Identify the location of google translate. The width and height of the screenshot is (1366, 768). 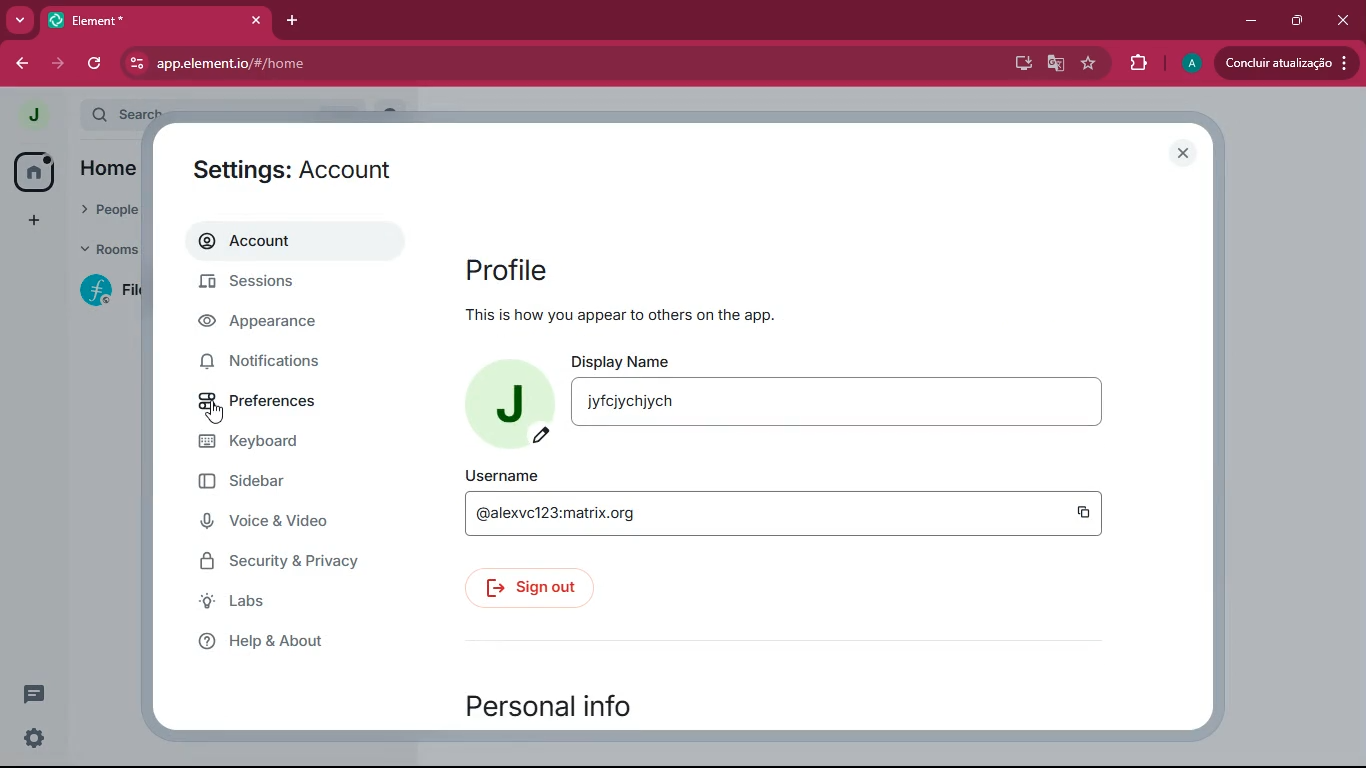
(1060, 63).